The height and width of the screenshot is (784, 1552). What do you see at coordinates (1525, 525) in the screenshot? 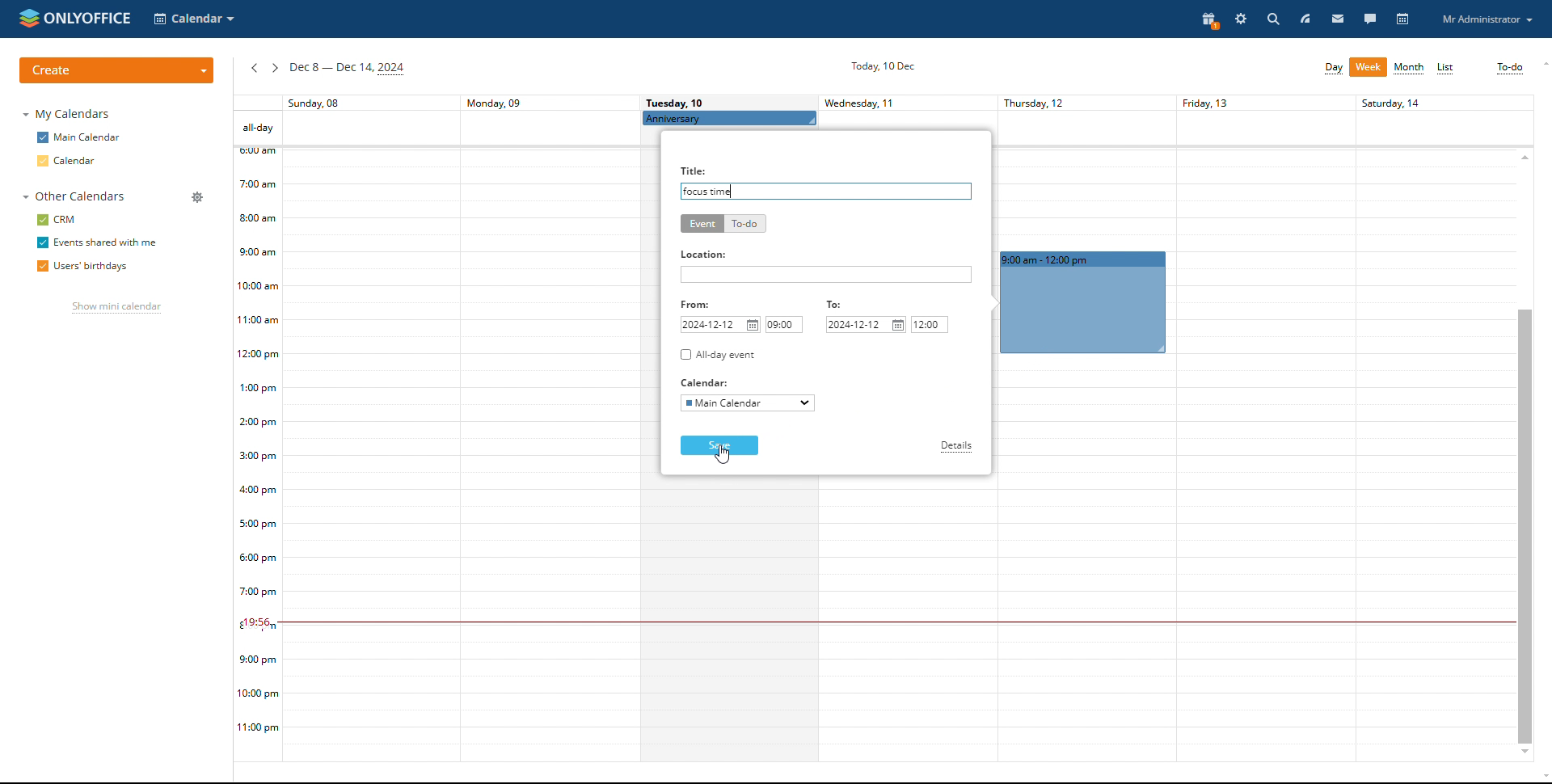
I see `scrollbar` at bounding box center [1525, 525].